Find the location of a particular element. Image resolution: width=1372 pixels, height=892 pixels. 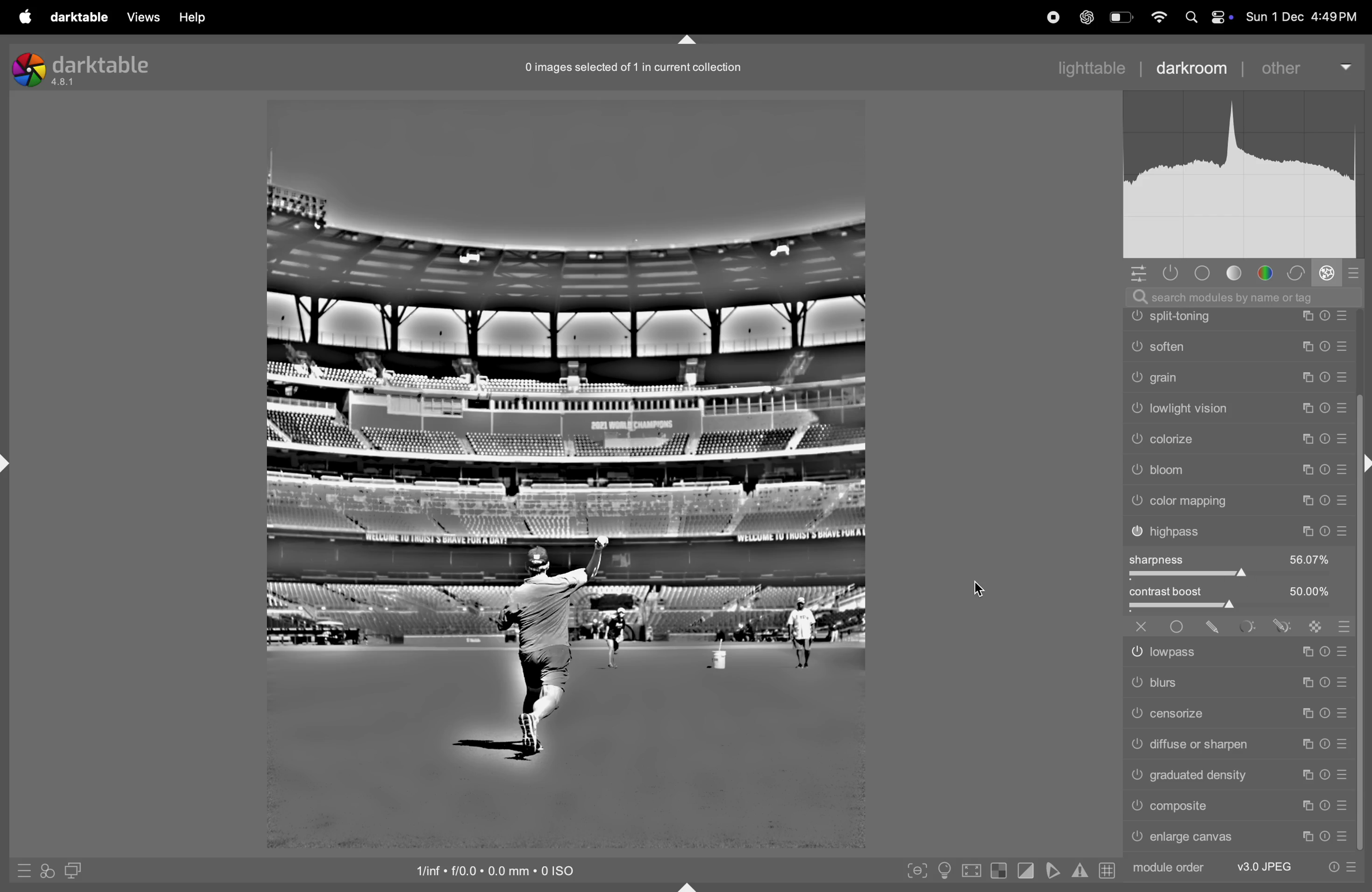

date and time is located at coordinates (1305, 17).